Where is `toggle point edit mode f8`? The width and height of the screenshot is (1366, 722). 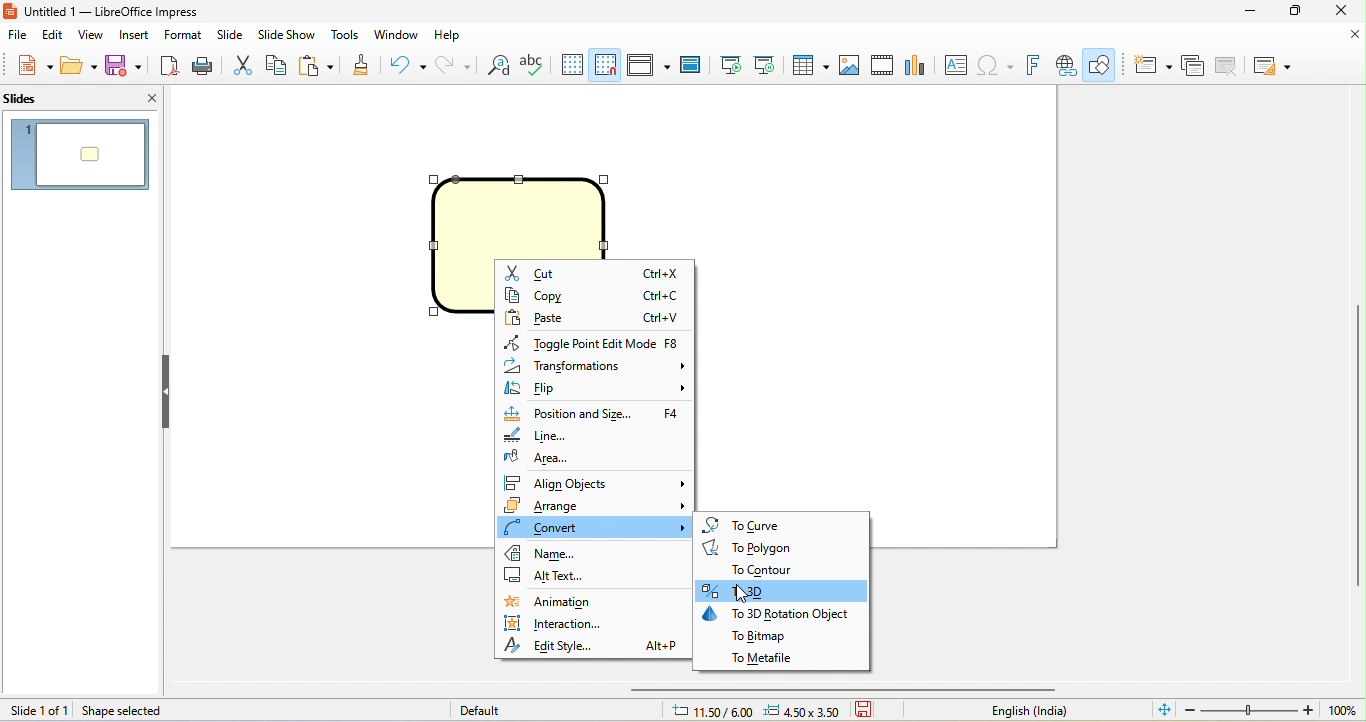 toggle point edit mode f8 is located at coordinates (590, 339).